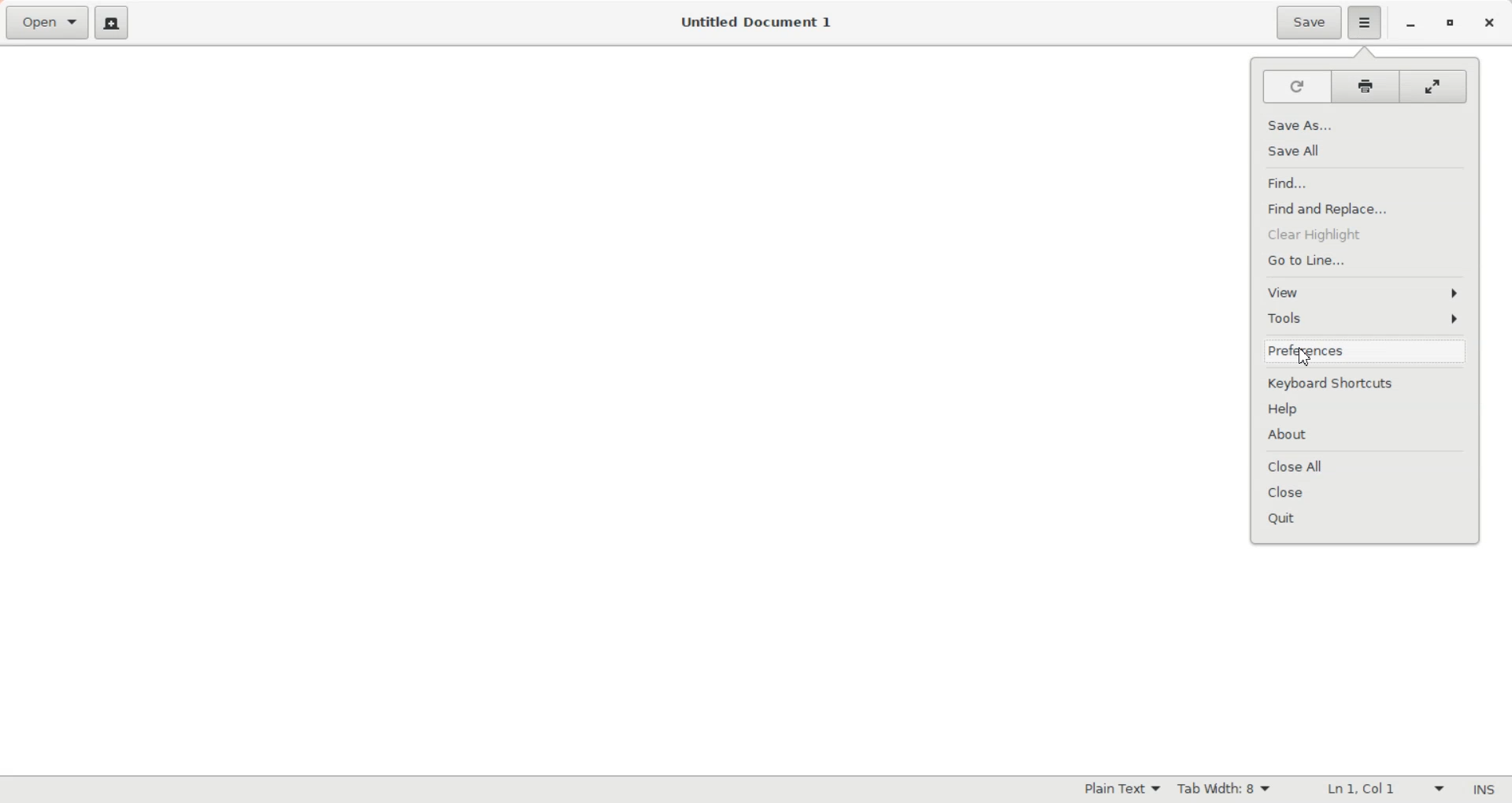 This screenshot has width=1512, height=803. Describe the element at coordinates (1367, 435) in the screenshot. I see `About` at that location.